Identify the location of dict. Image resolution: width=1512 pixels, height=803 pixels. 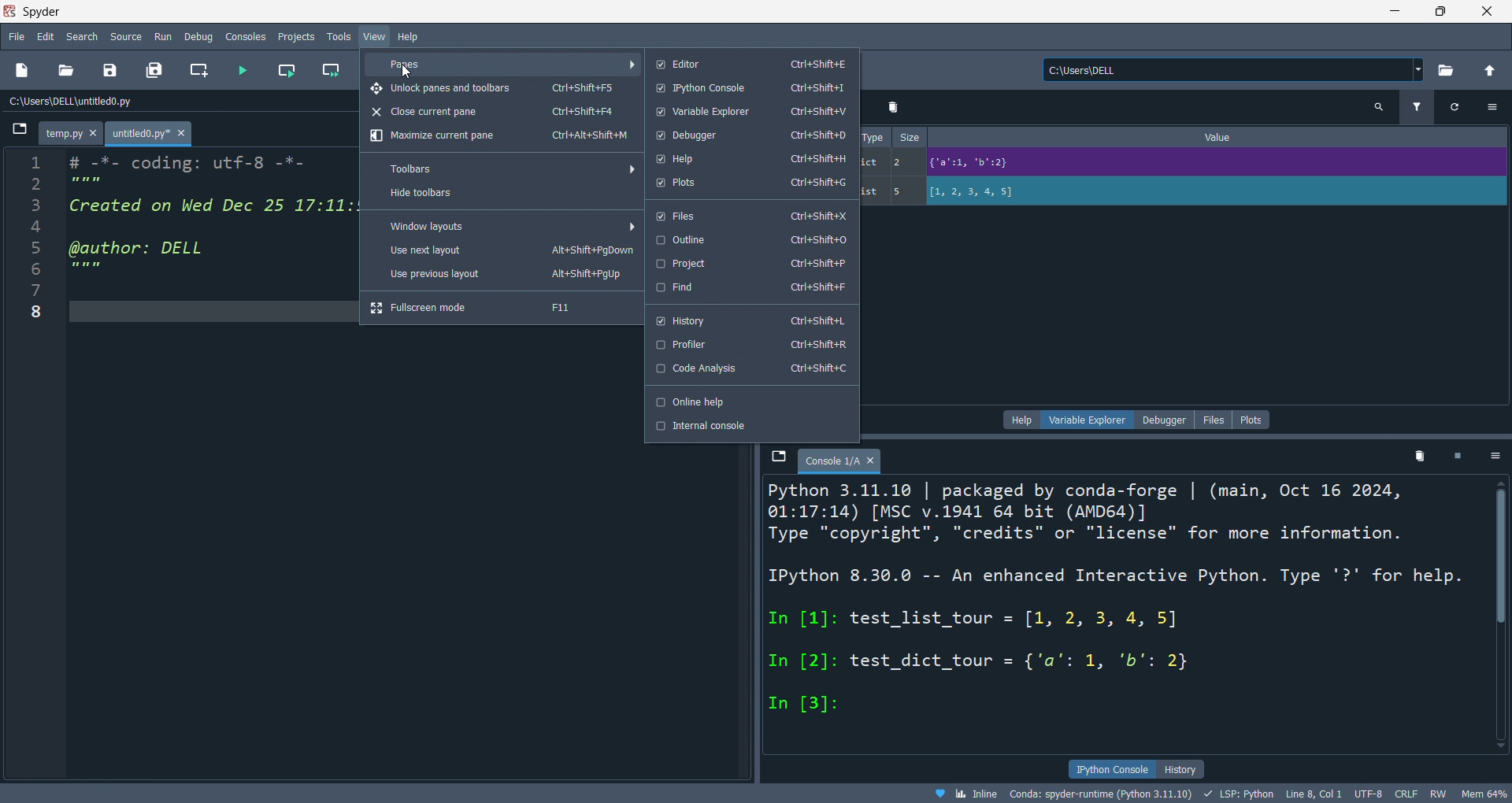
(873, 165).